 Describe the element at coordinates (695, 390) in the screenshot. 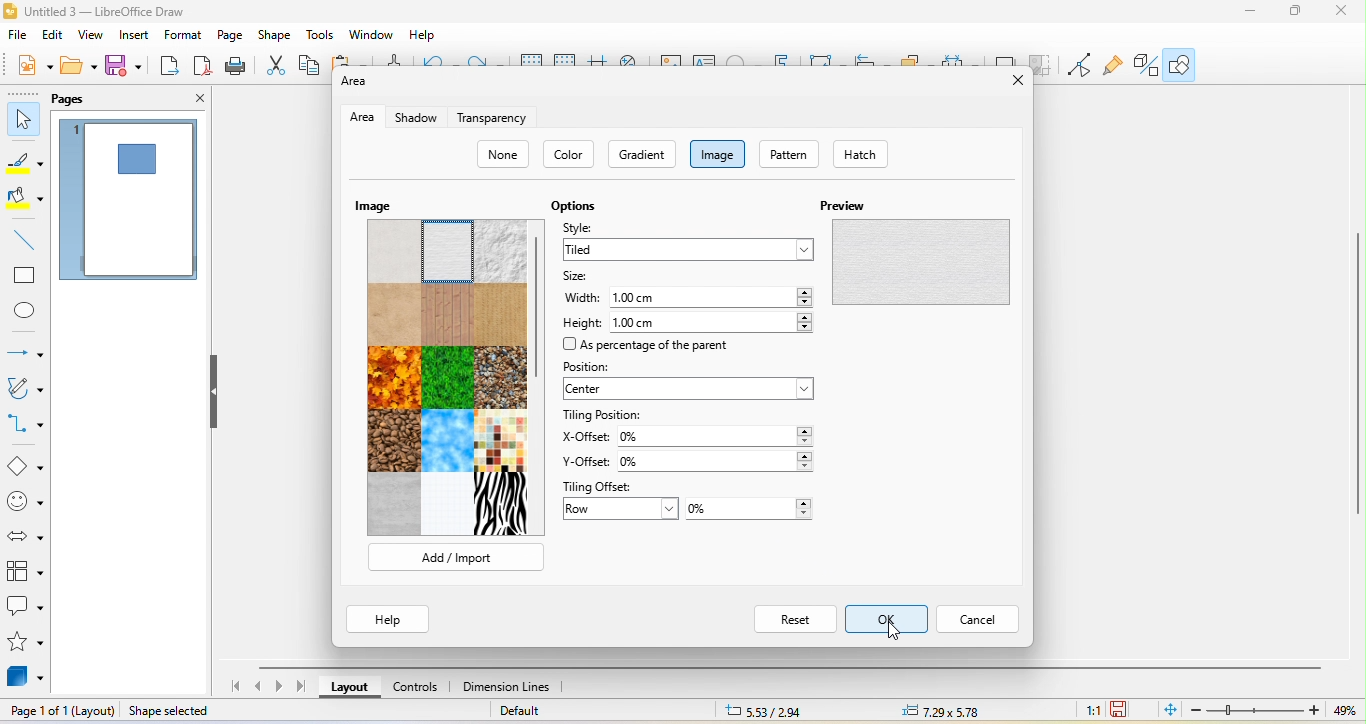

I see `center` at that location.